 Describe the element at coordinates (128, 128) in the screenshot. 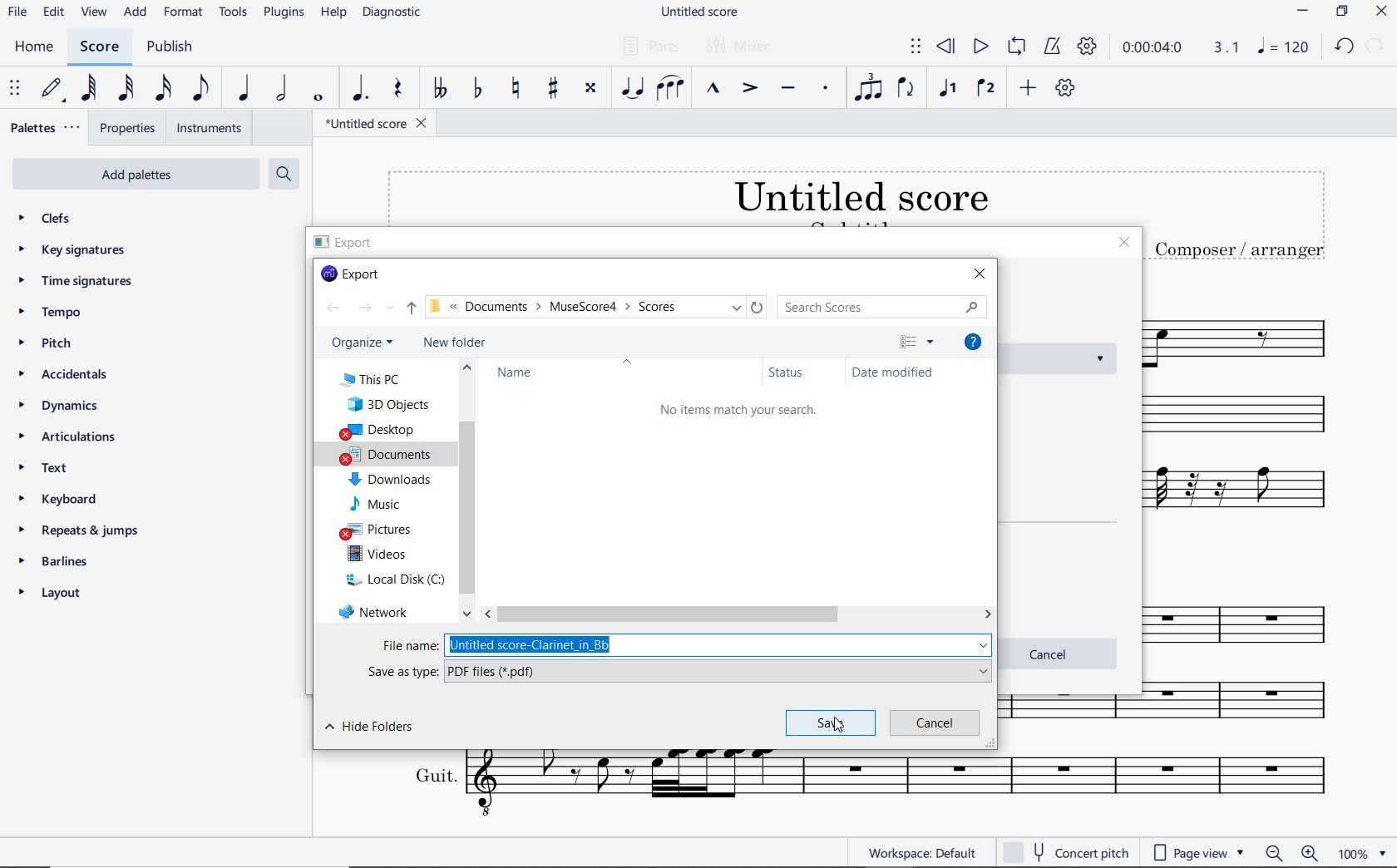

I see `PROPERTIES` at that location.